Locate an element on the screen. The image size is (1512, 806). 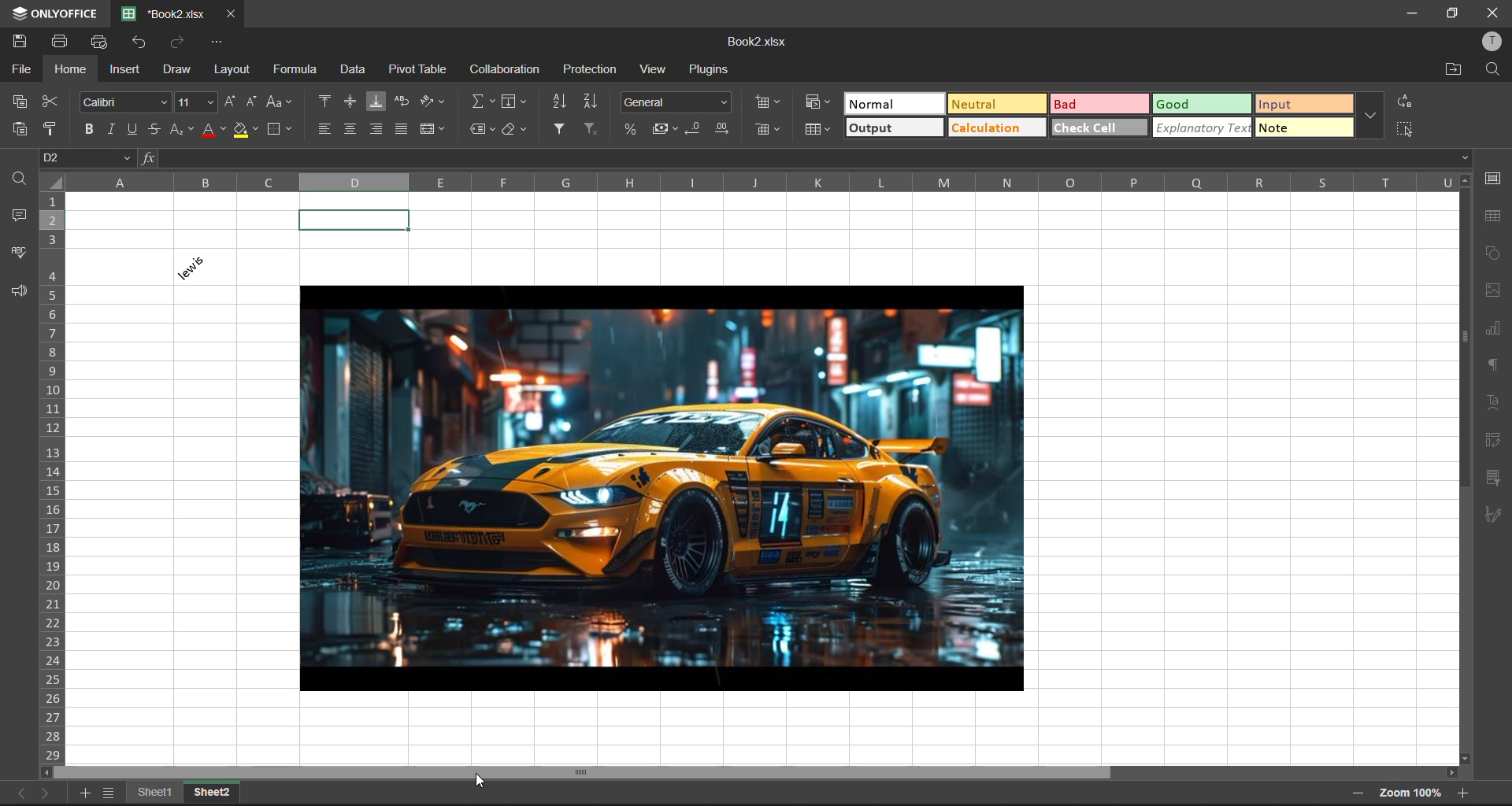
zoom factor is located at coordinates (1410, 795).